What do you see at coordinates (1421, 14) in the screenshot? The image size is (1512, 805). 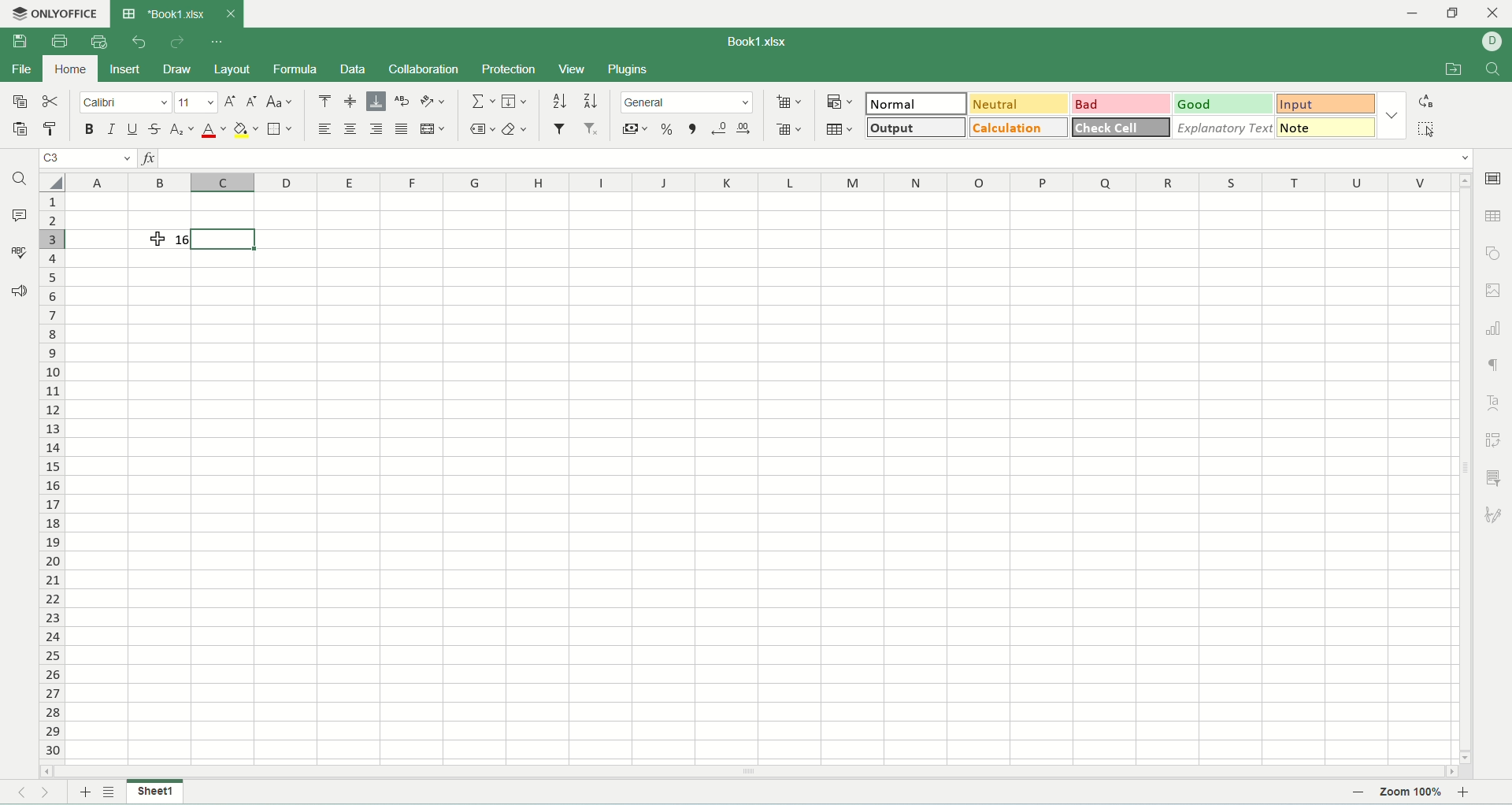 I see `minimize` at bounding box center [1421, 14].